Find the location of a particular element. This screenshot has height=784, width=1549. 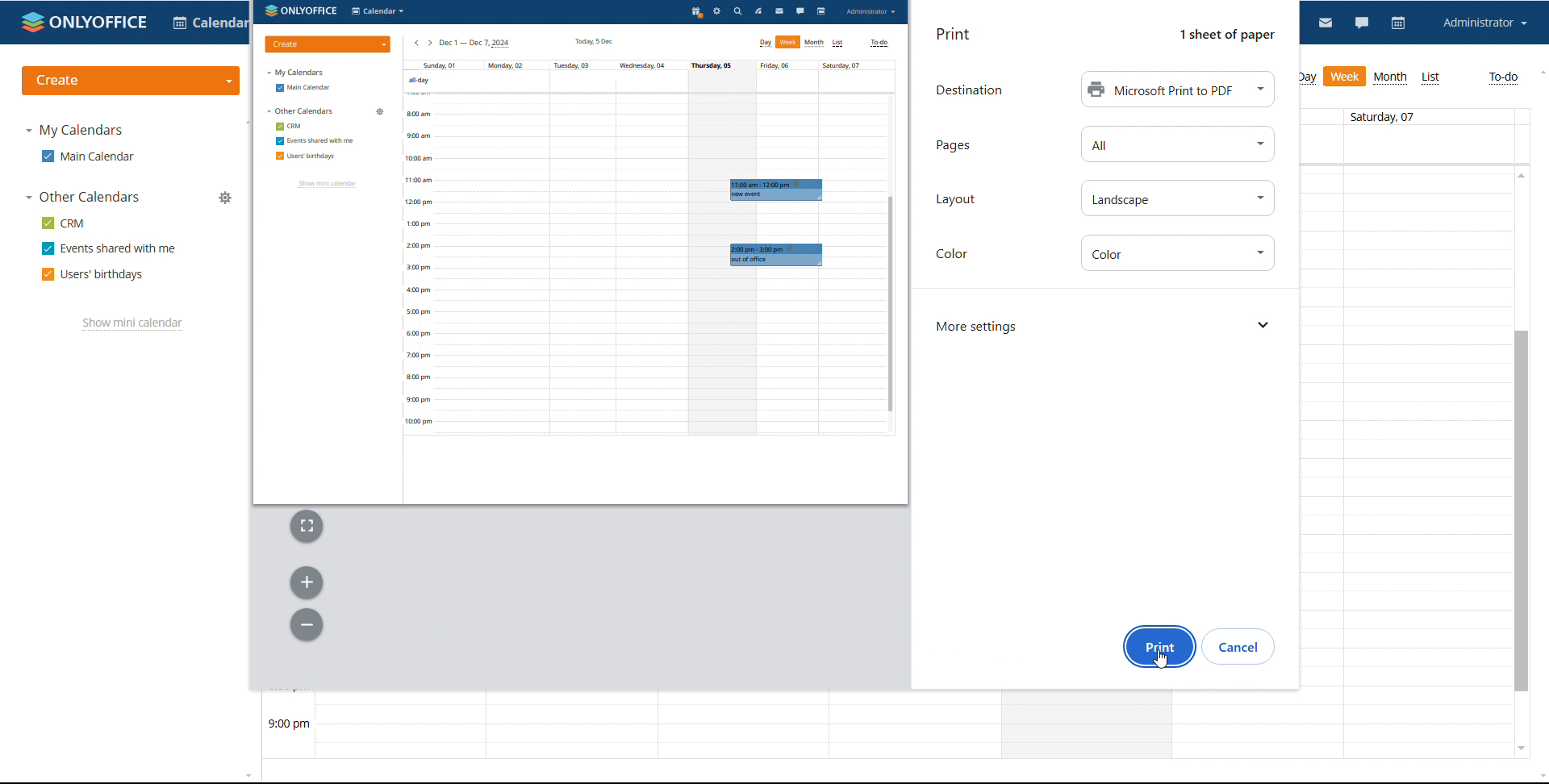

manage is located at coordinates (226, 198).